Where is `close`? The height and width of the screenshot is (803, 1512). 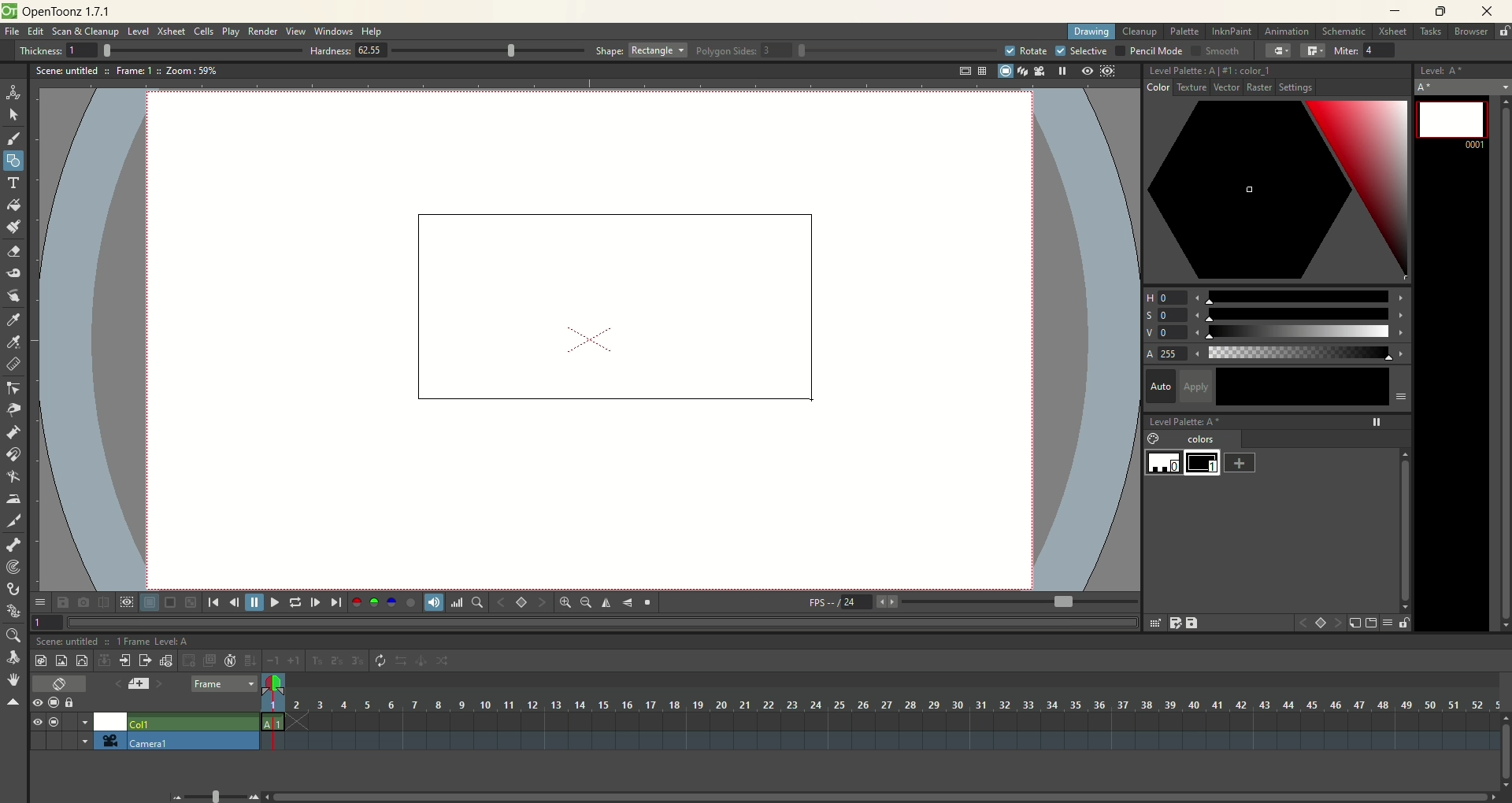
close is located at coordinates (1483, 13).